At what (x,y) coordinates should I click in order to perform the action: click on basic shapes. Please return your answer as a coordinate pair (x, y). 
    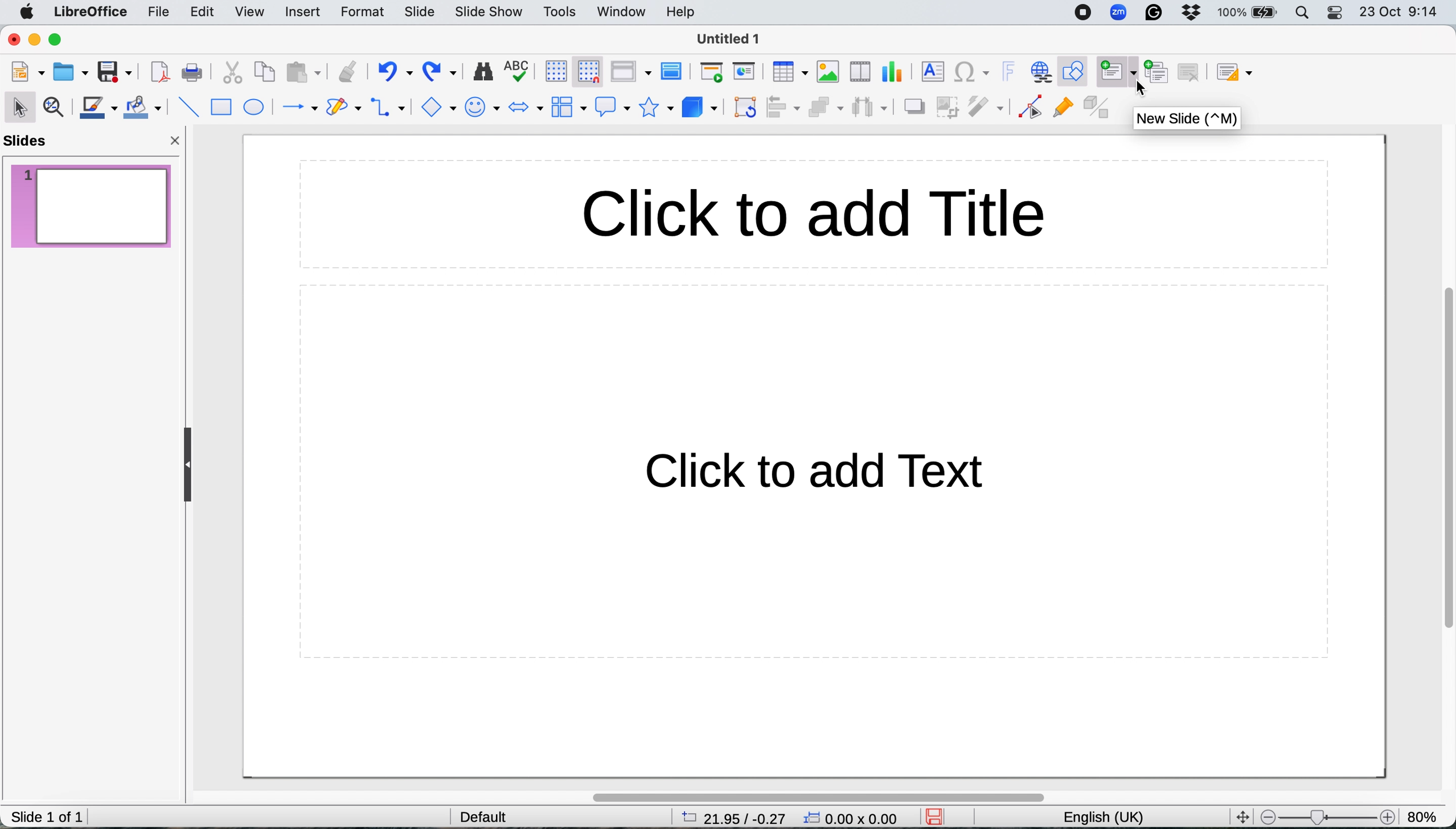
    Looking at the image, I should click on (441, 108).